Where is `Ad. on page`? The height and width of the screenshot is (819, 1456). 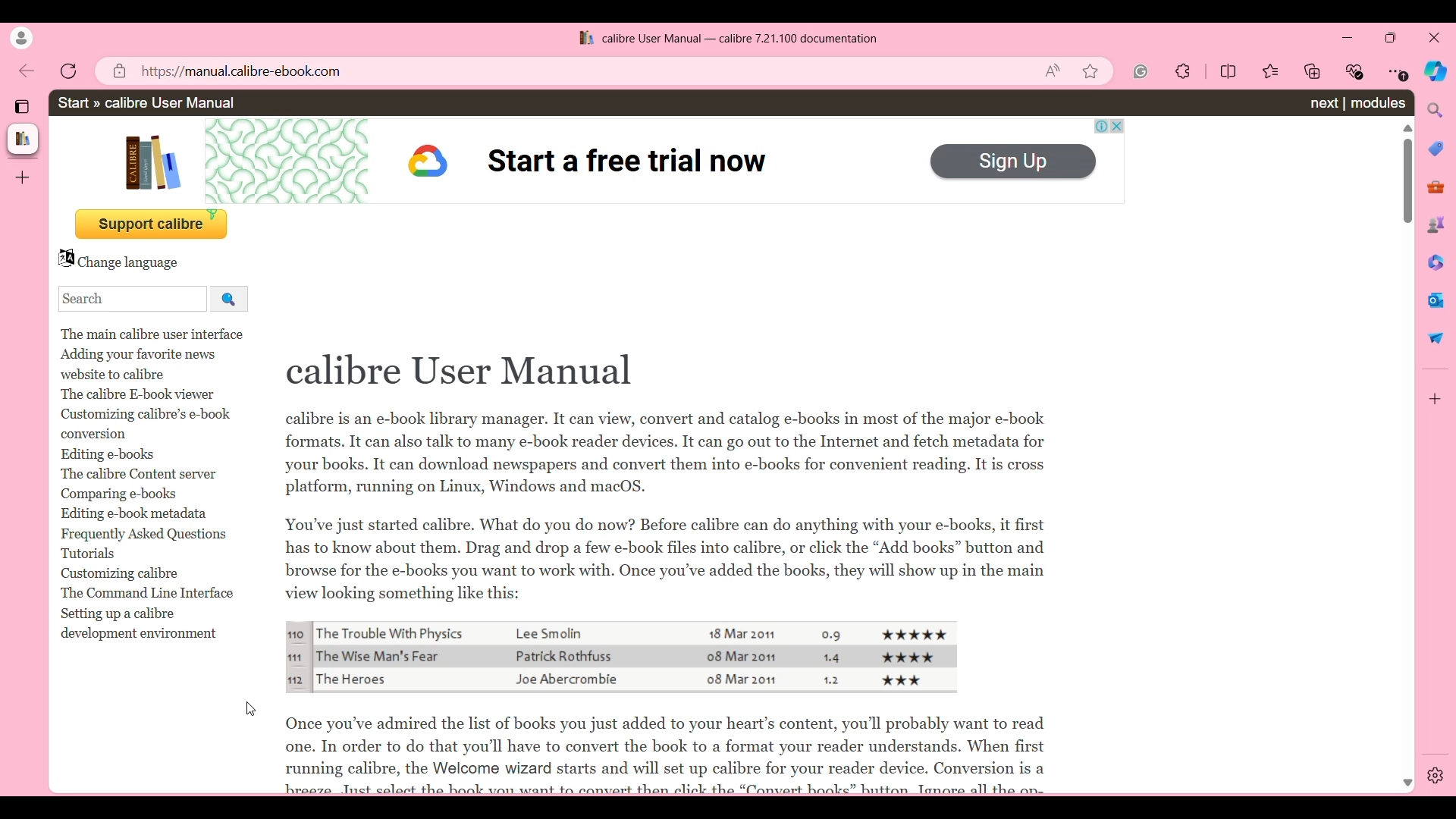 Ad. on page is located at coordinates (665, 160).